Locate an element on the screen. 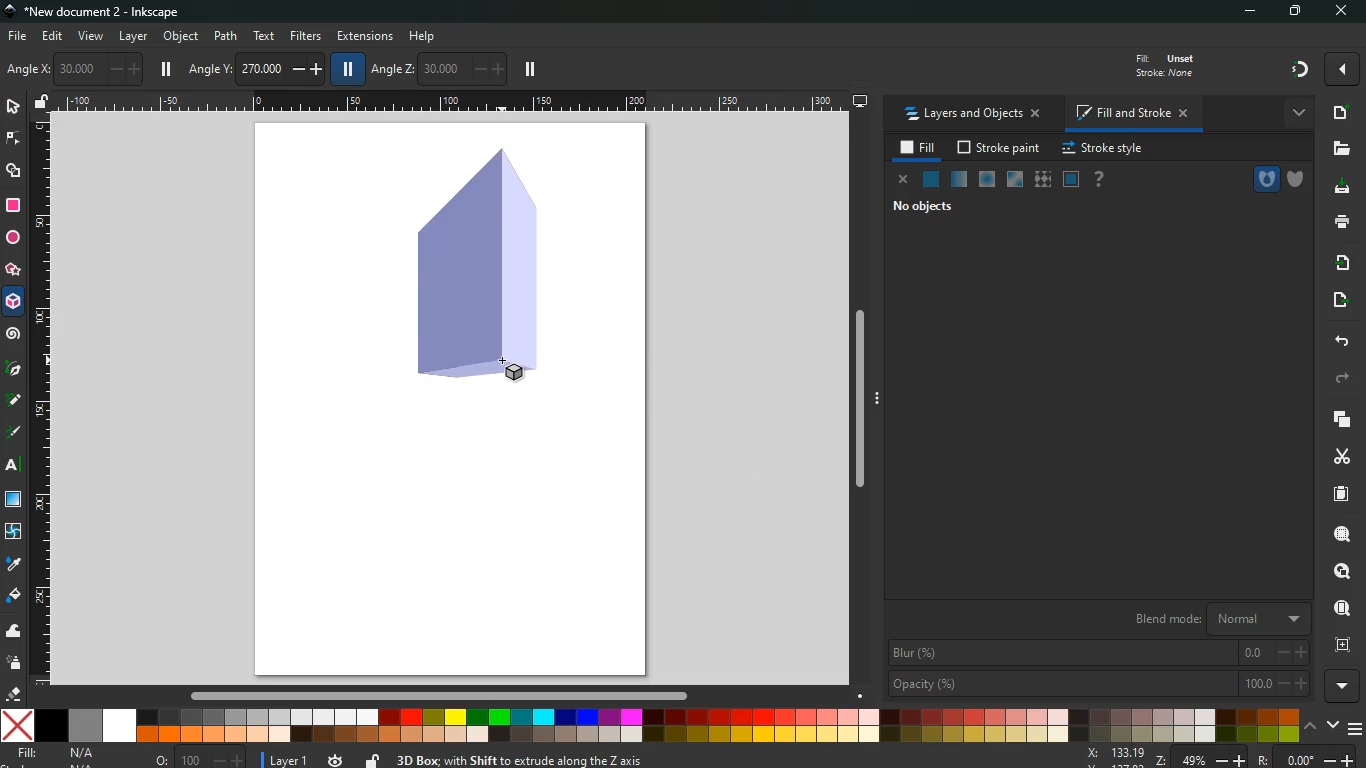 The height and width of the screenshot is (768, 1366). 3d tool is located at coordinates (474, 268).